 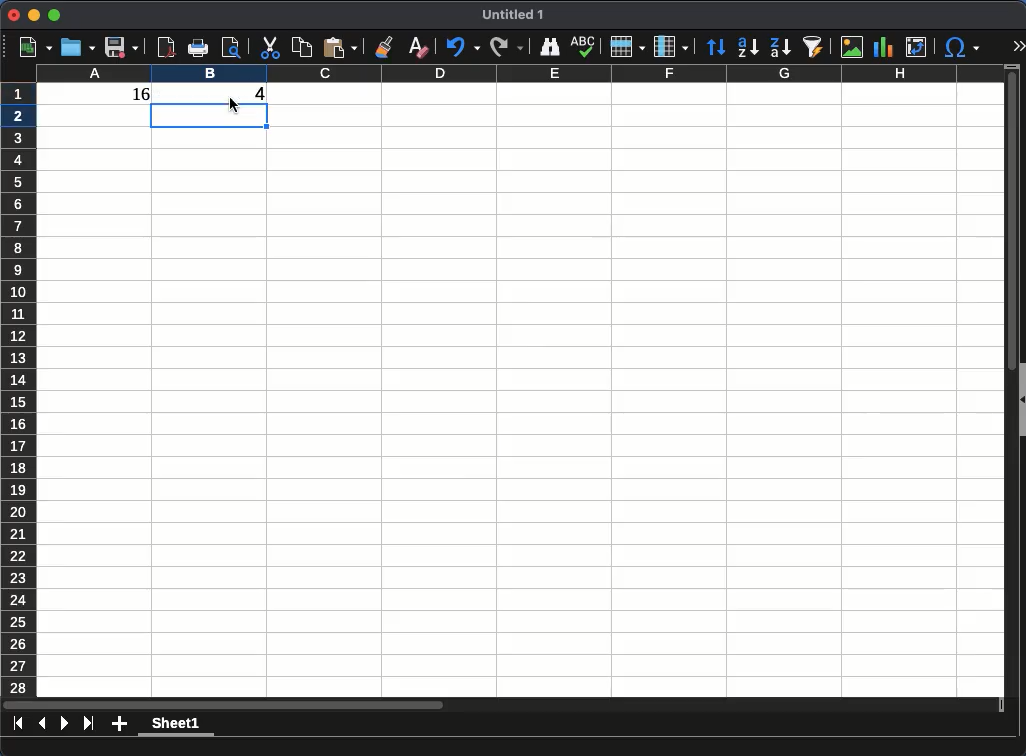 What do you see at coordinates (671, 46) in the screenshot?
I see `column ` at bounding box center [671, 46].